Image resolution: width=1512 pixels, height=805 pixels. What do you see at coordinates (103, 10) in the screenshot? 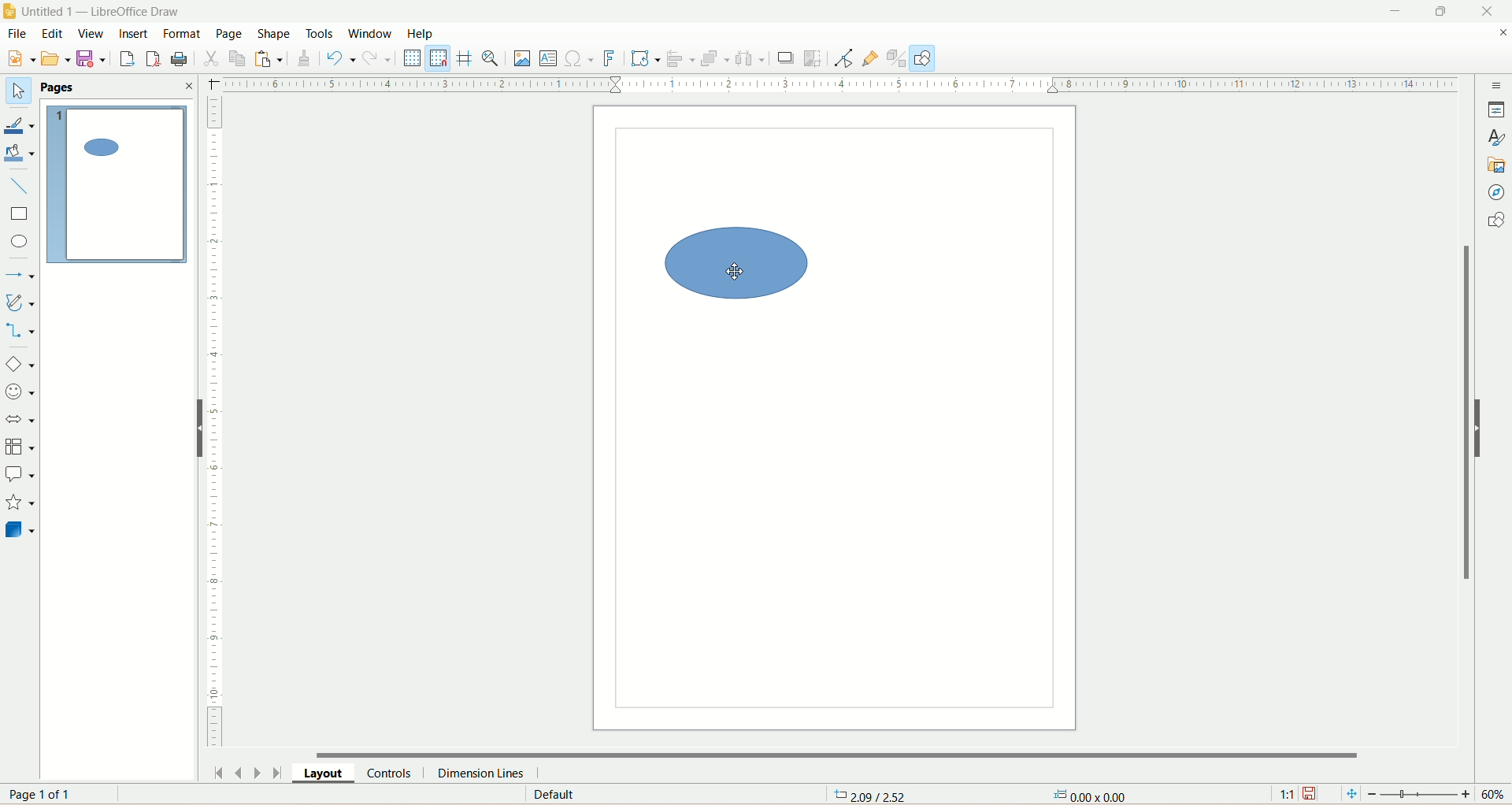
I see `title` at bounding box center [103, 10].